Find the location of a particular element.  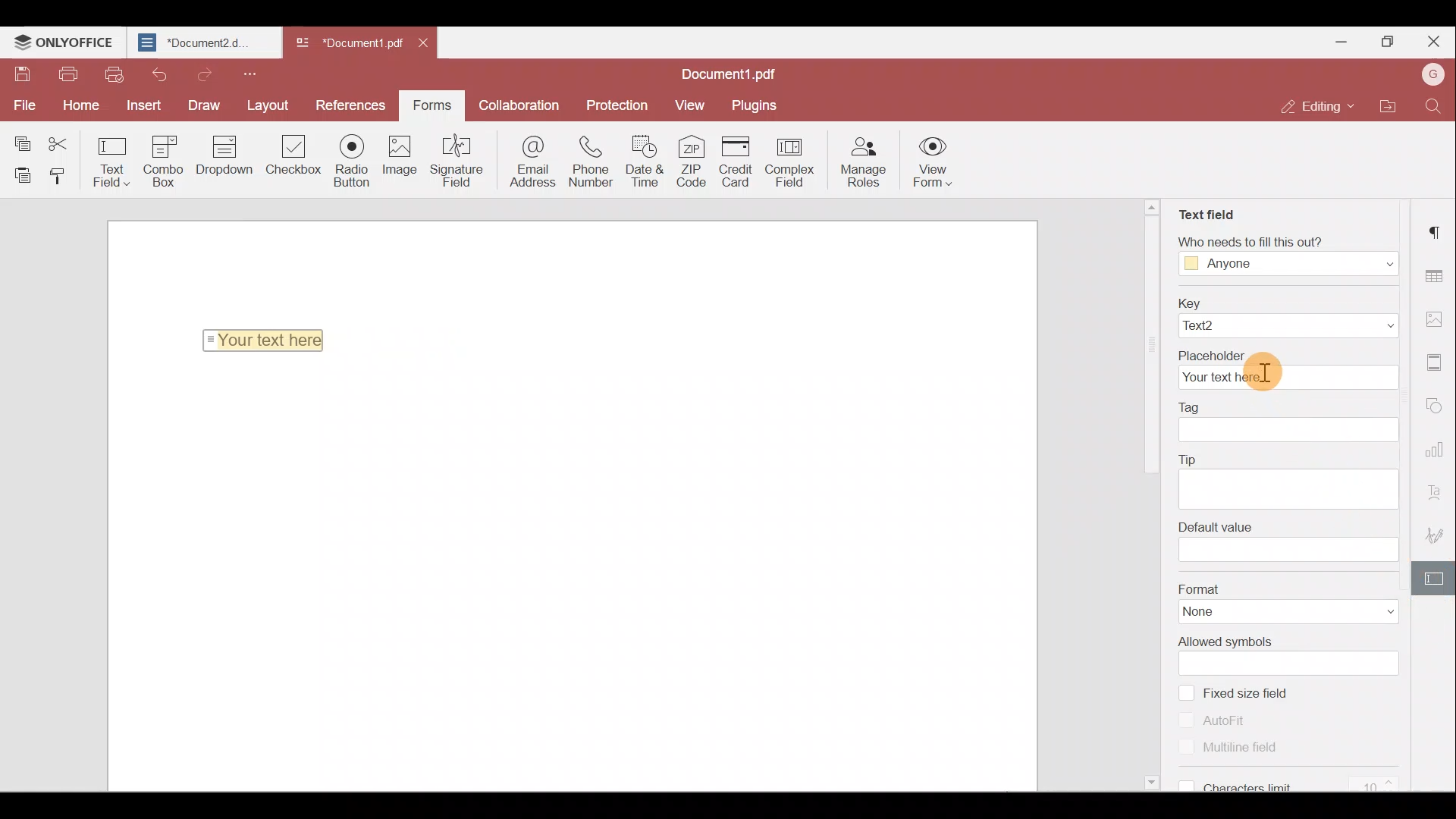

Account name is located at coordinates (1432, 73).